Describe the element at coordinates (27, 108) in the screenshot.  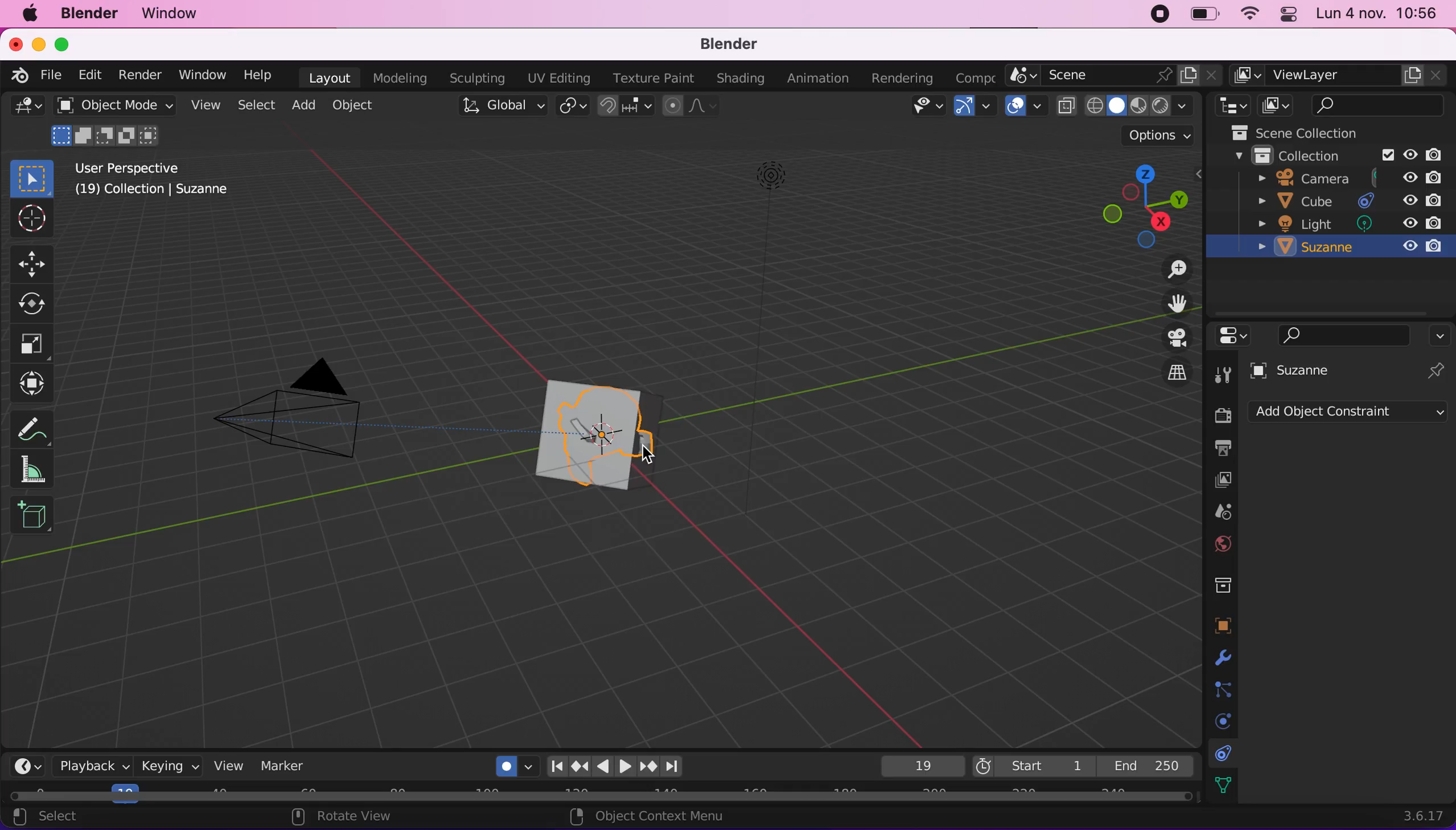
I see `editor type` at that location.